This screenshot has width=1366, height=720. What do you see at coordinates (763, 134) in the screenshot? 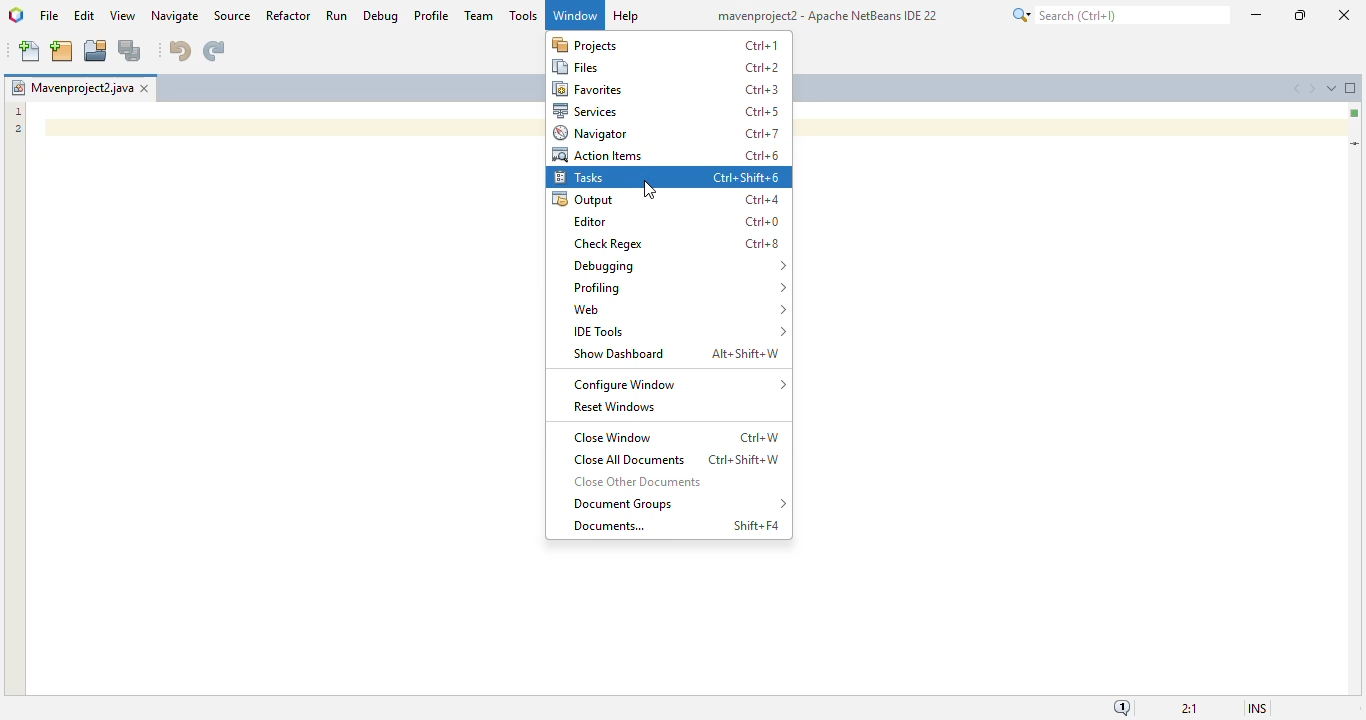
I see `shortcut for navigator` at bounding box center [763, 134].